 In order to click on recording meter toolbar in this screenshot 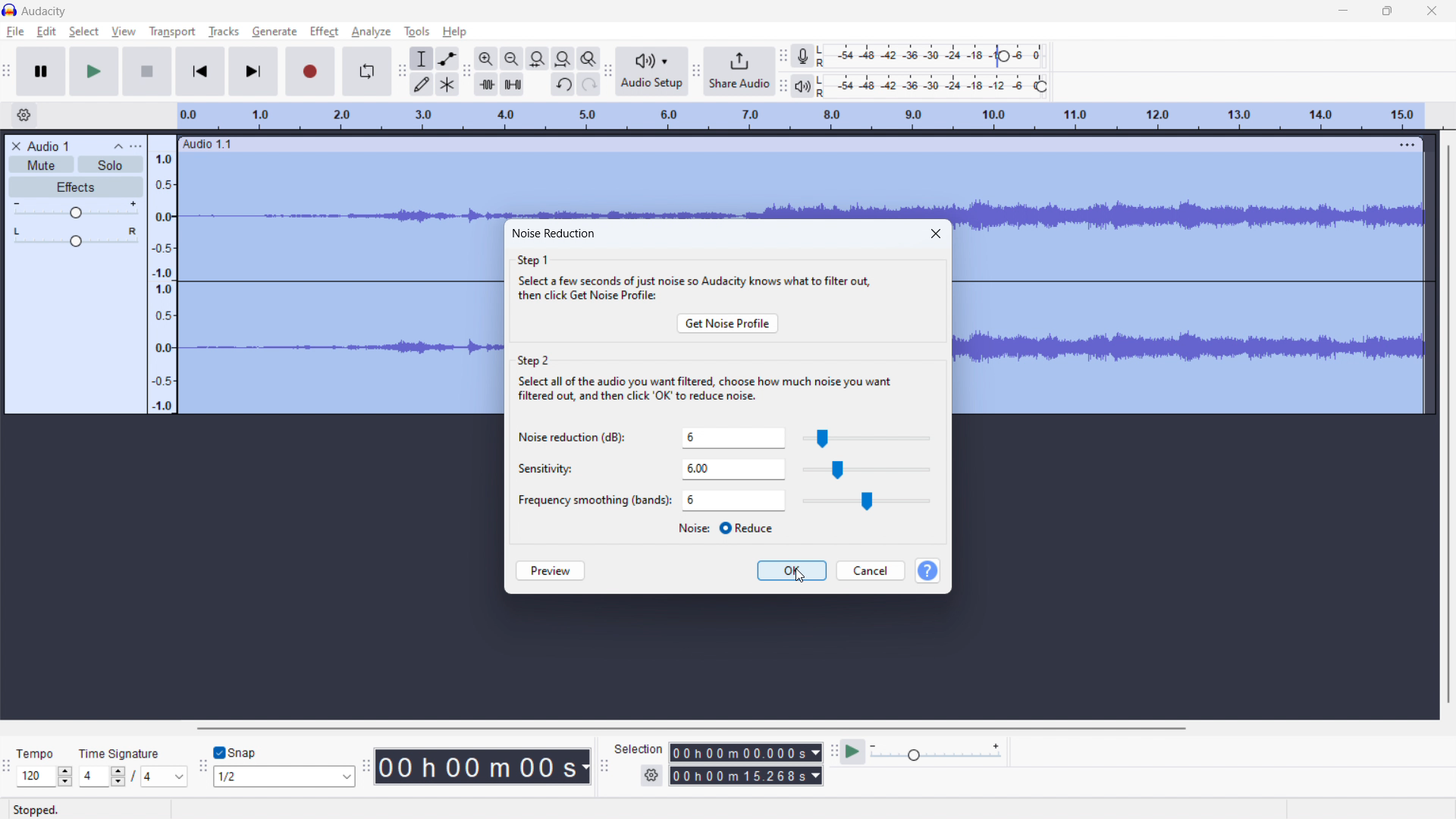, I will do `click(783, 56)`.